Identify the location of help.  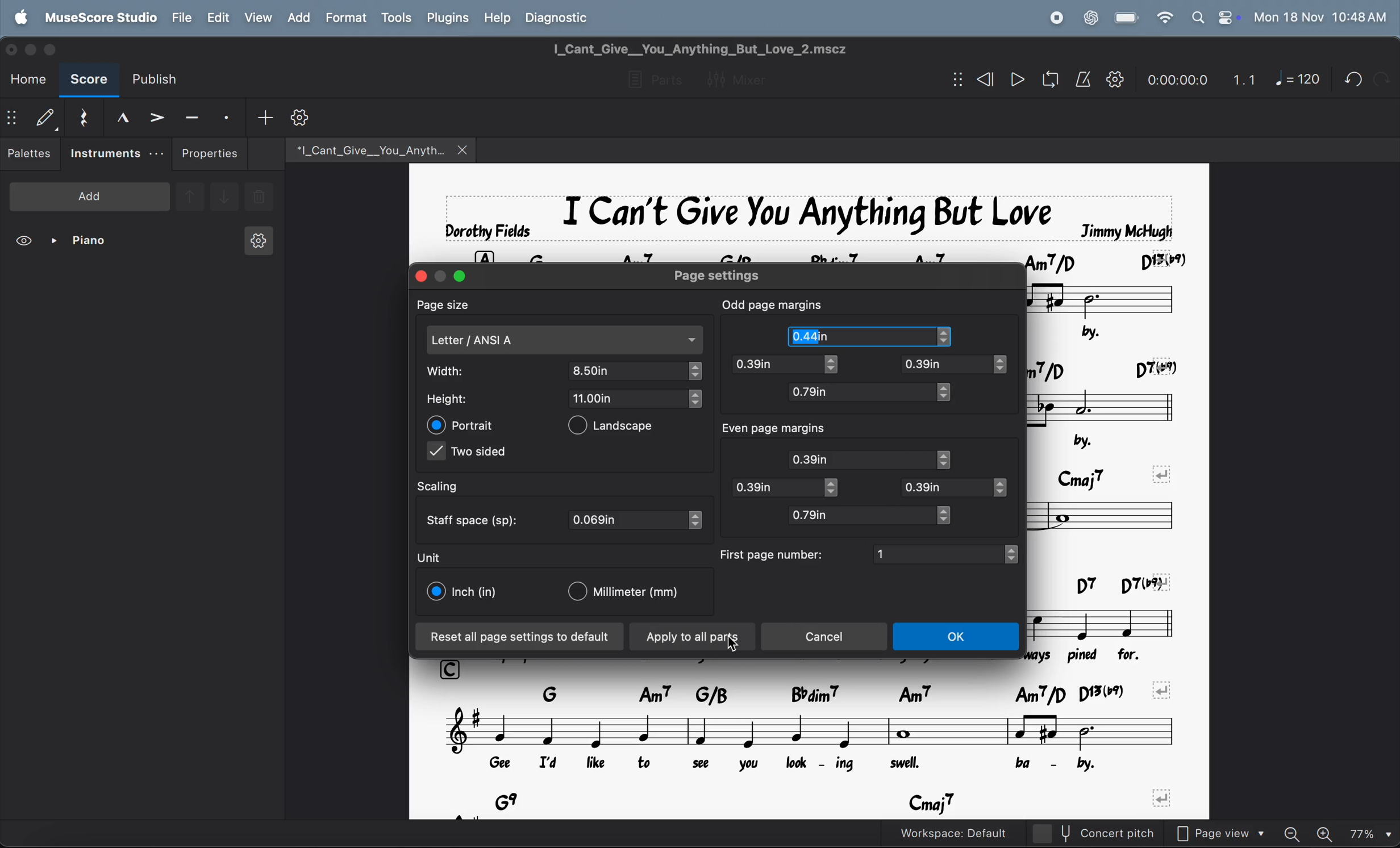
(498, 16).